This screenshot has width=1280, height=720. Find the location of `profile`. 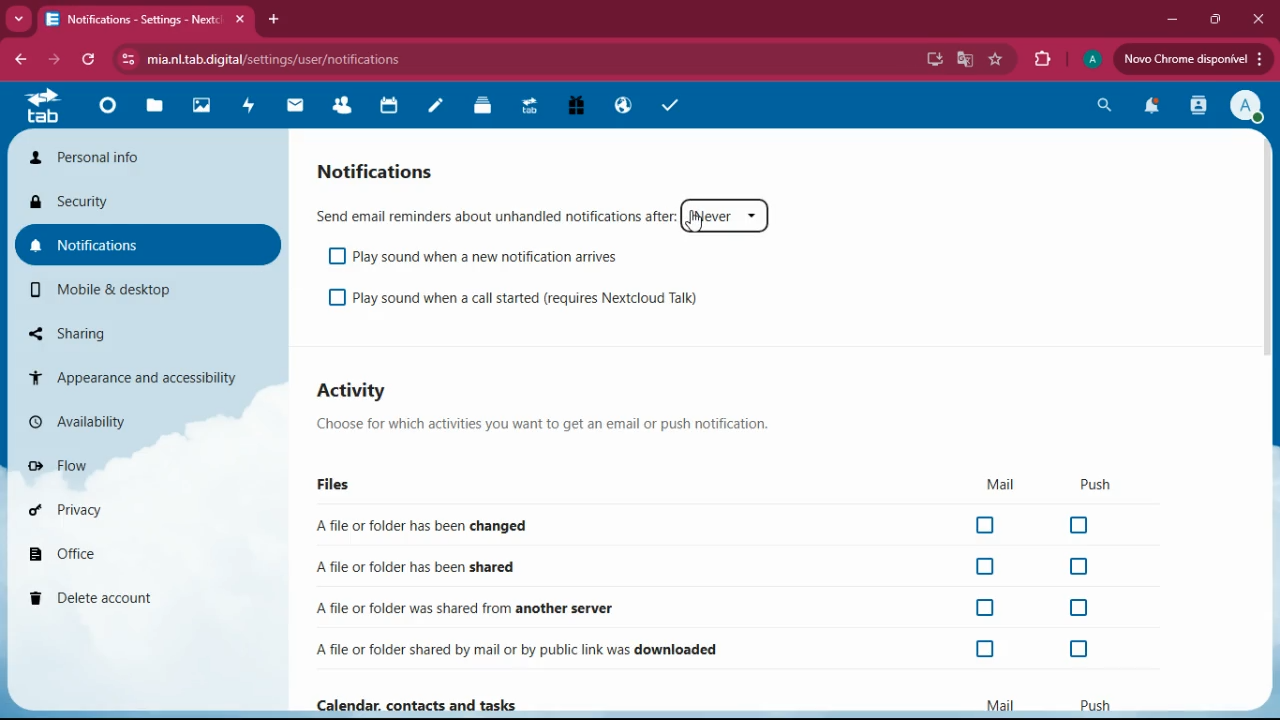

profile is located at coordinates (1092, 62).